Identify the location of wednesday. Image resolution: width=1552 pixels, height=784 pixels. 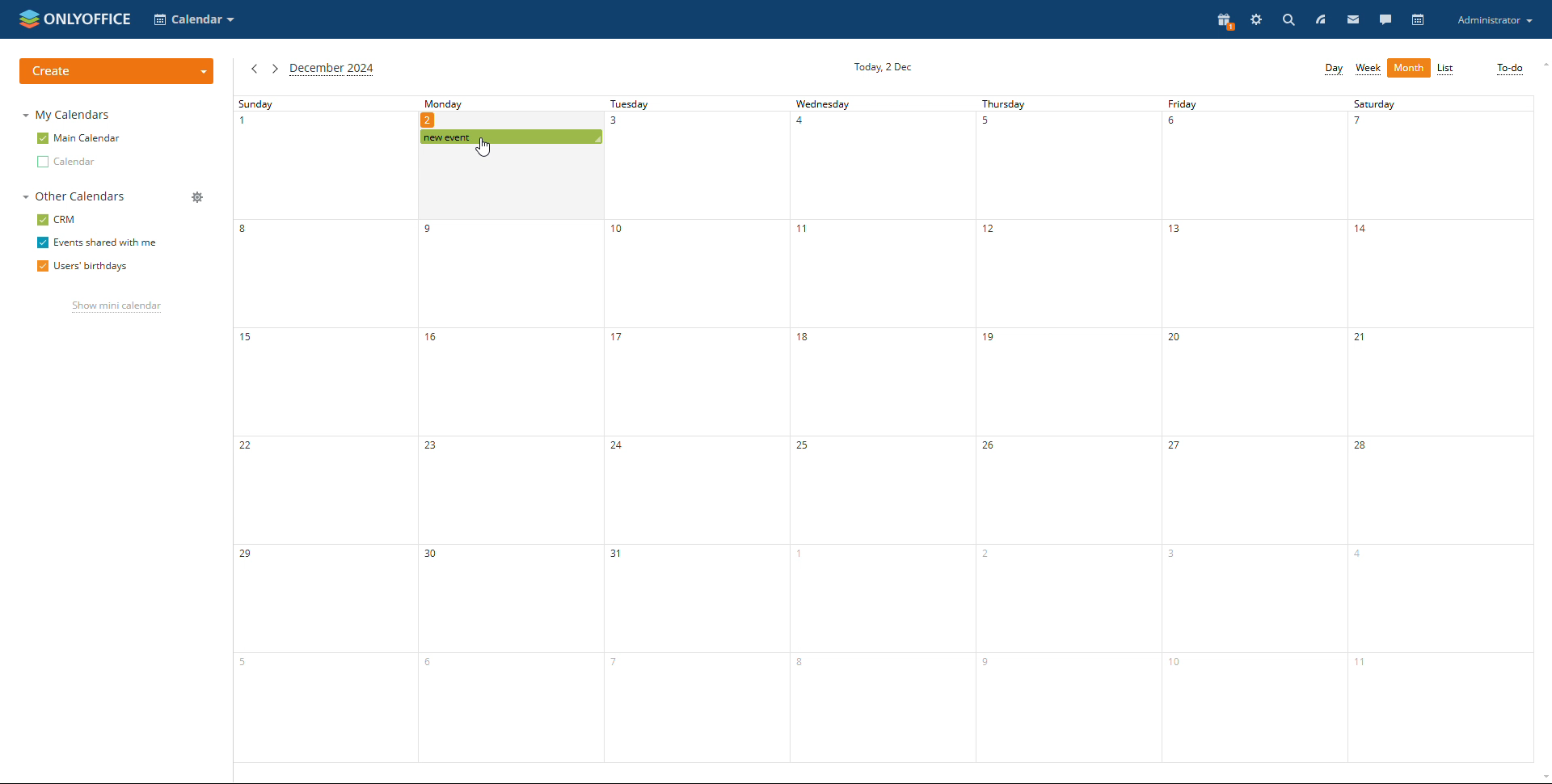
(884, 430).